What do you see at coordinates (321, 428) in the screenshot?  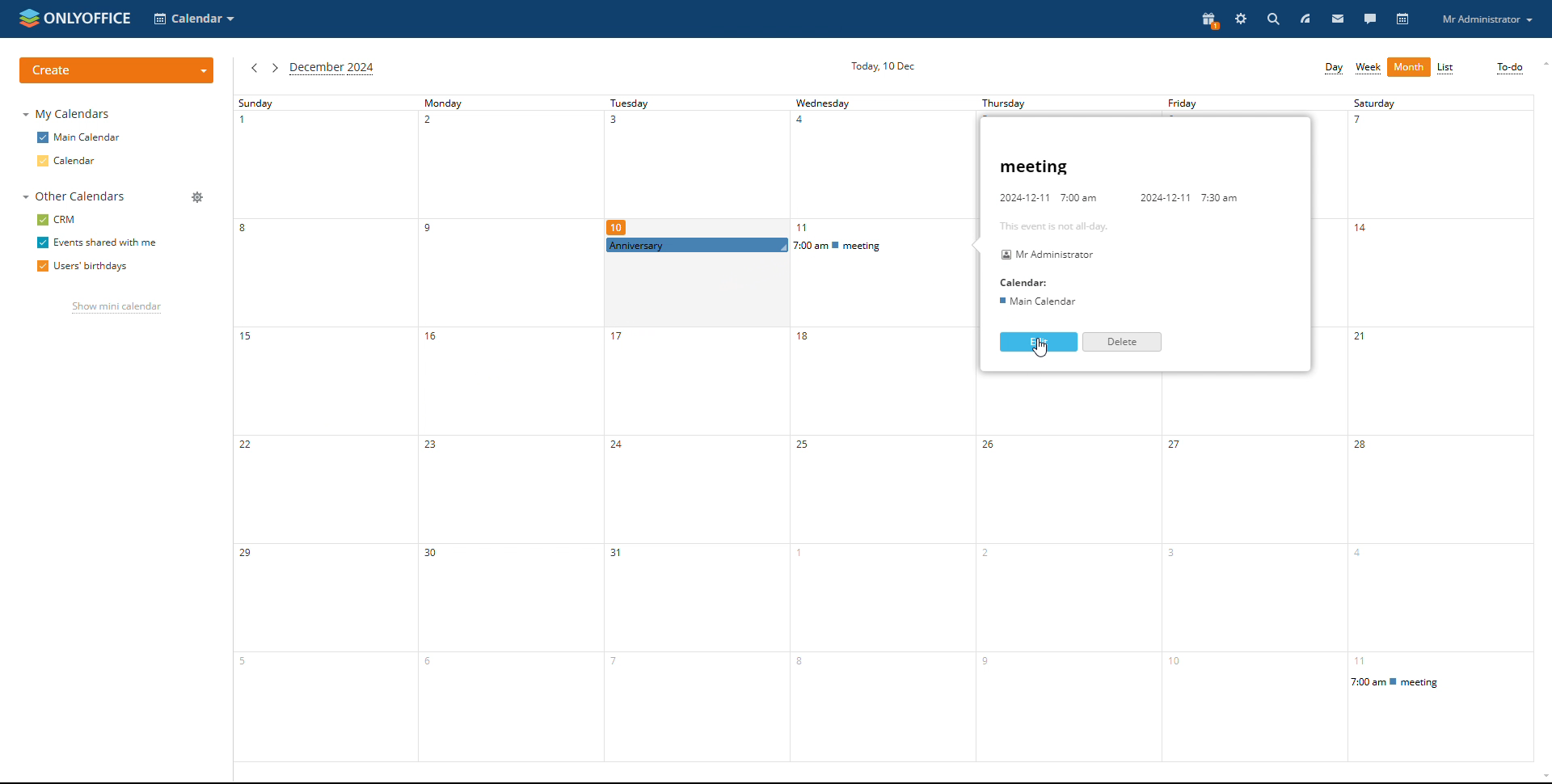 I see `sunday` at bounding box center [321, 428].